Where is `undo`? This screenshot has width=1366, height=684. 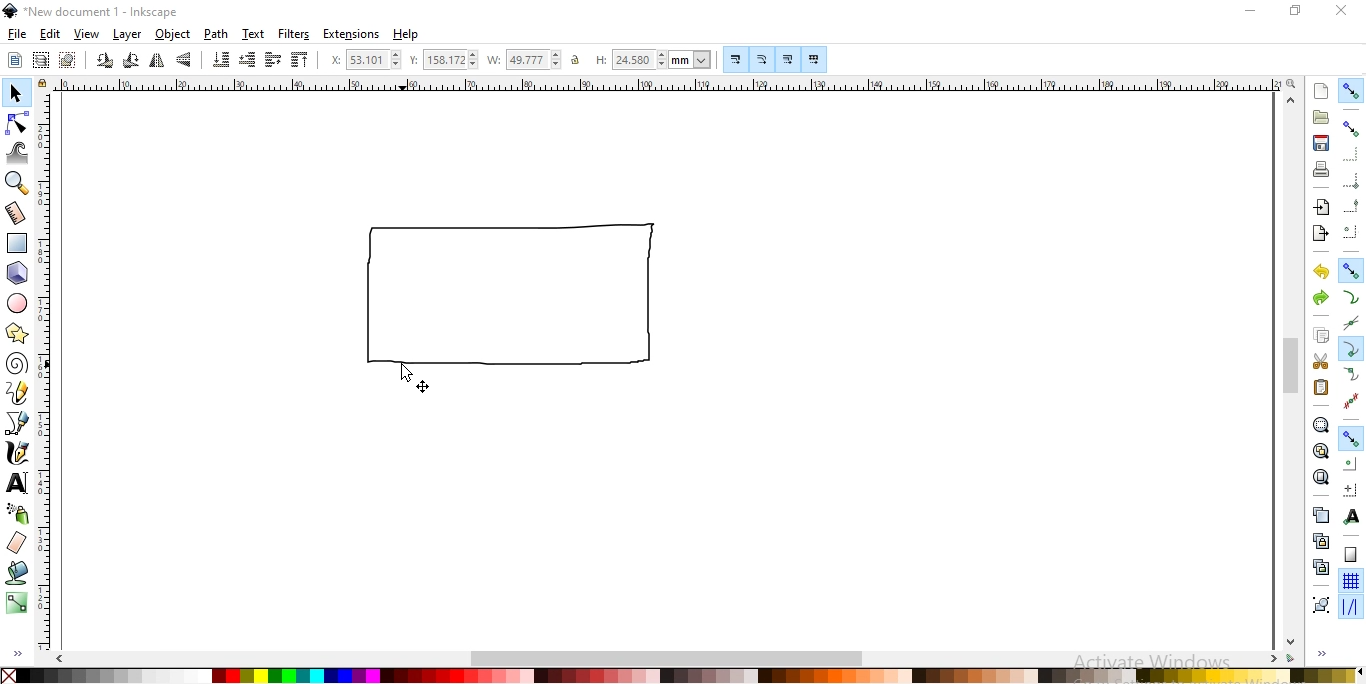
undo is located at coordinates (1320, 272).